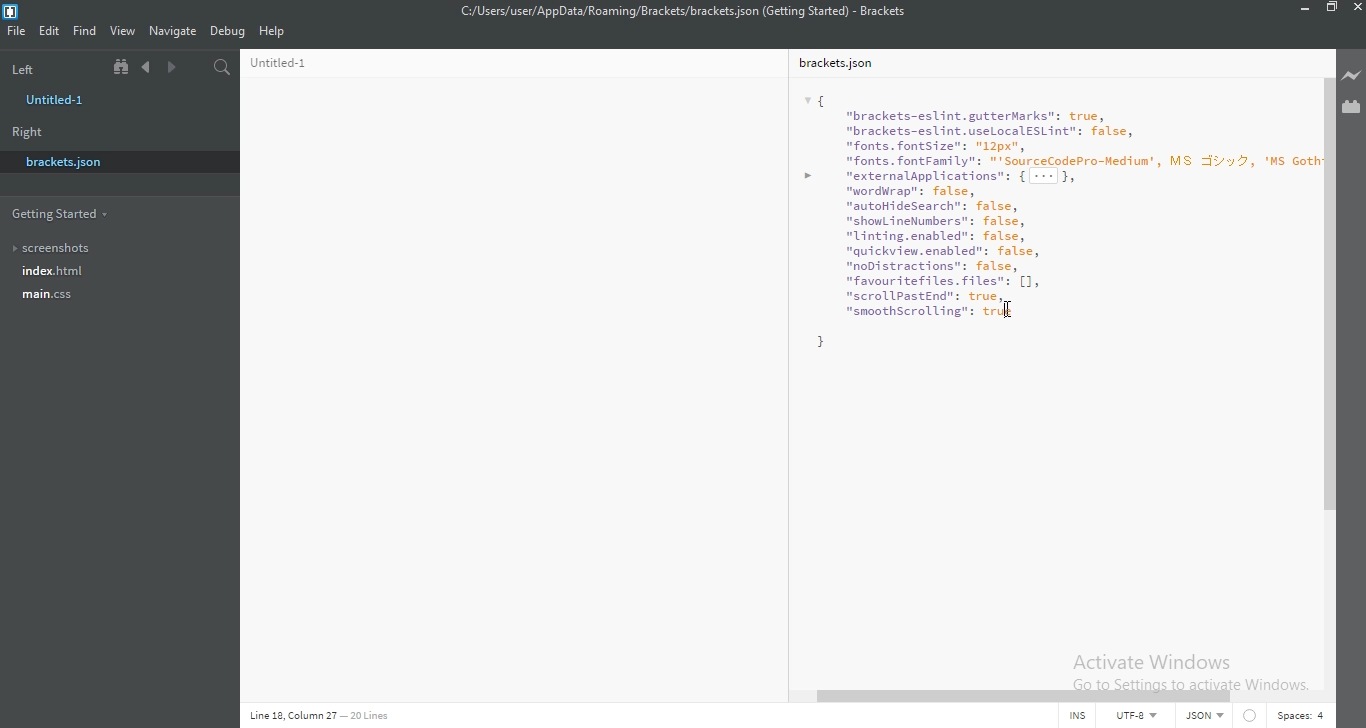  Describe the element at coordinates (123, 67) in the screenshot. I see `Show file tree` at that location.